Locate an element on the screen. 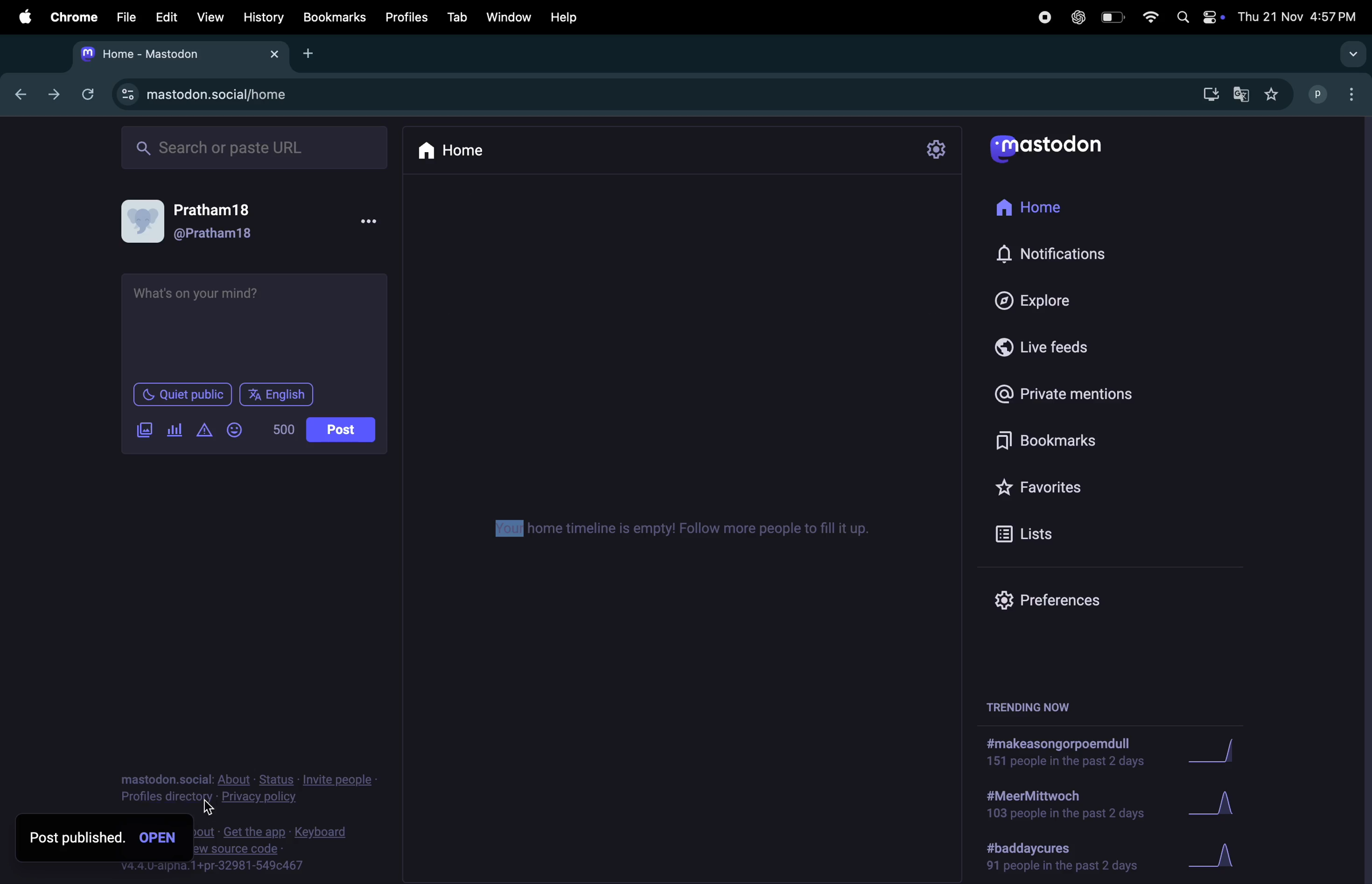 The width and height of the screenshot is (1372, 884). date and time is located at coordinates (1299, 17).